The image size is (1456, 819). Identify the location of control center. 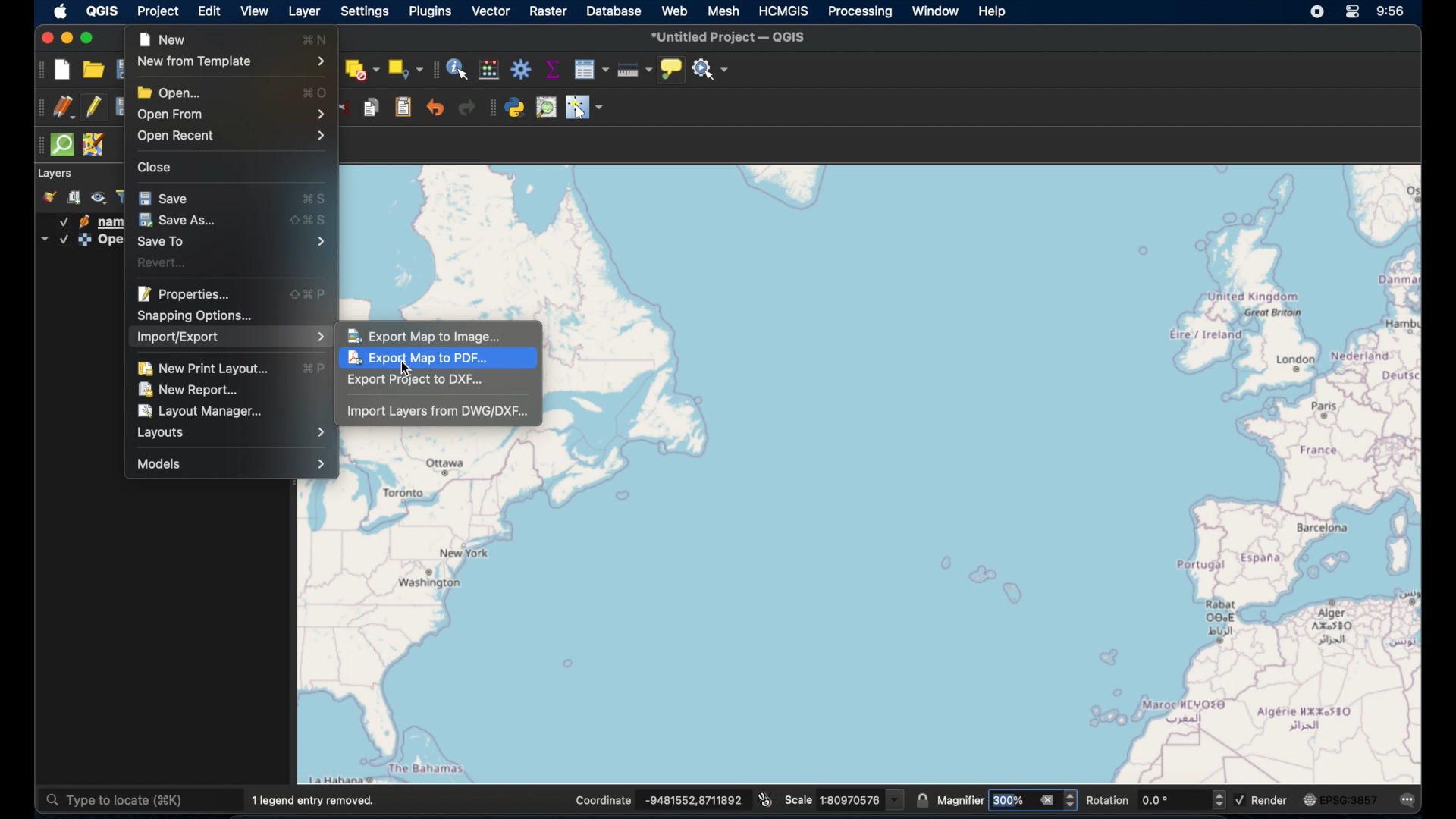
(1354, 11).